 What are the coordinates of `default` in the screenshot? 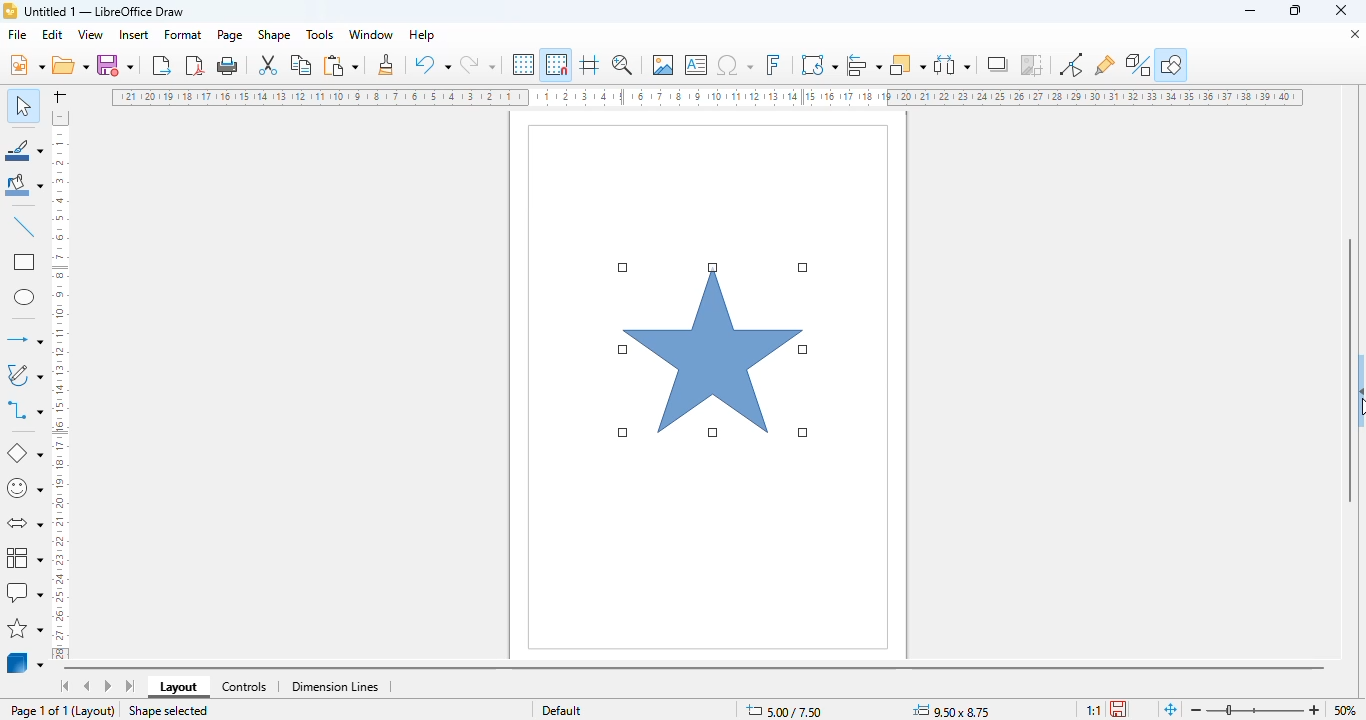 It's located at (562, 709).